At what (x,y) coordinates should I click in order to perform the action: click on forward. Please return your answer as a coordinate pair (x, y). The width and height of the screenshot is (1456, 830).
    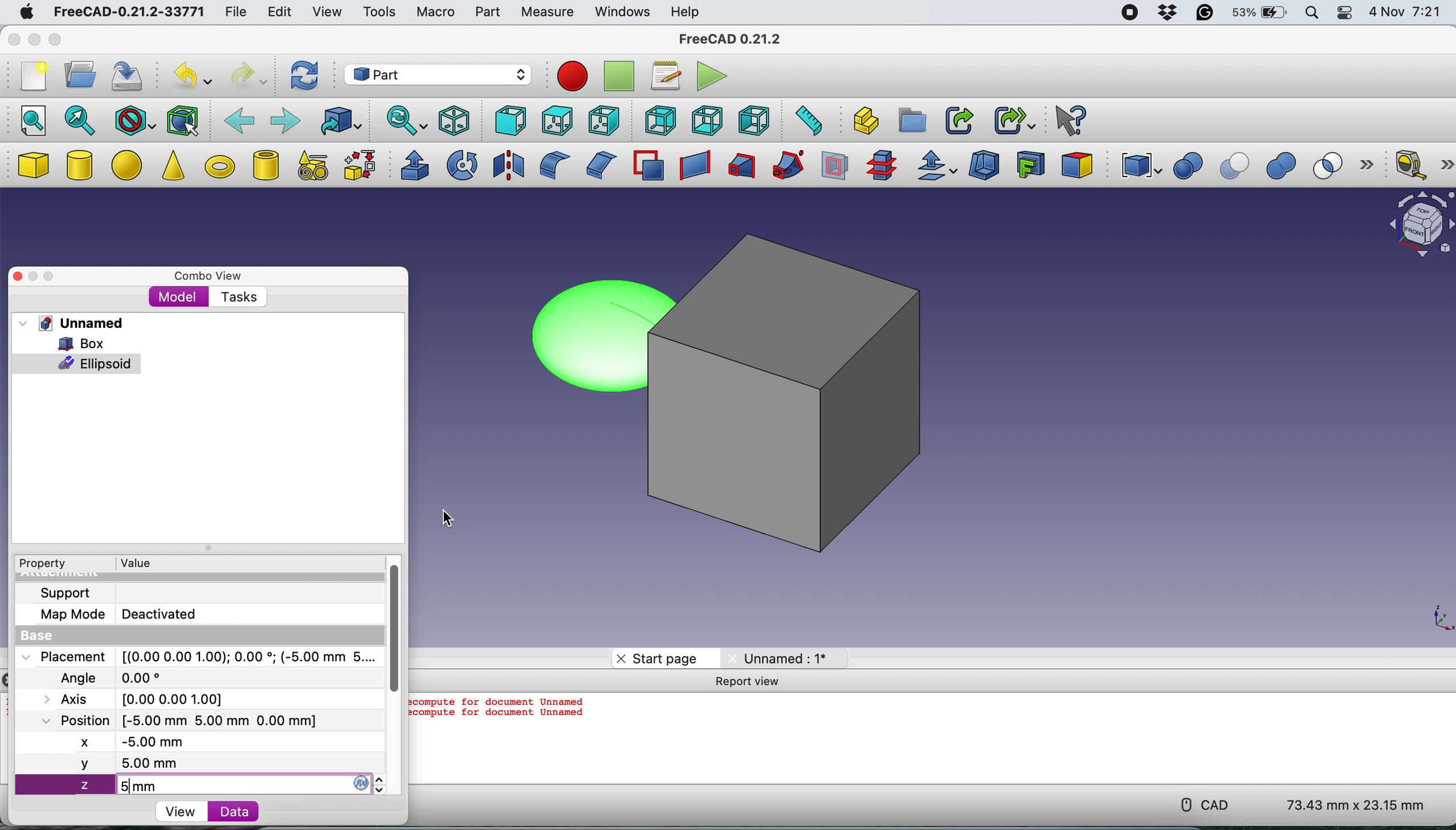
    Looking at the image, I should click on (284, 119).